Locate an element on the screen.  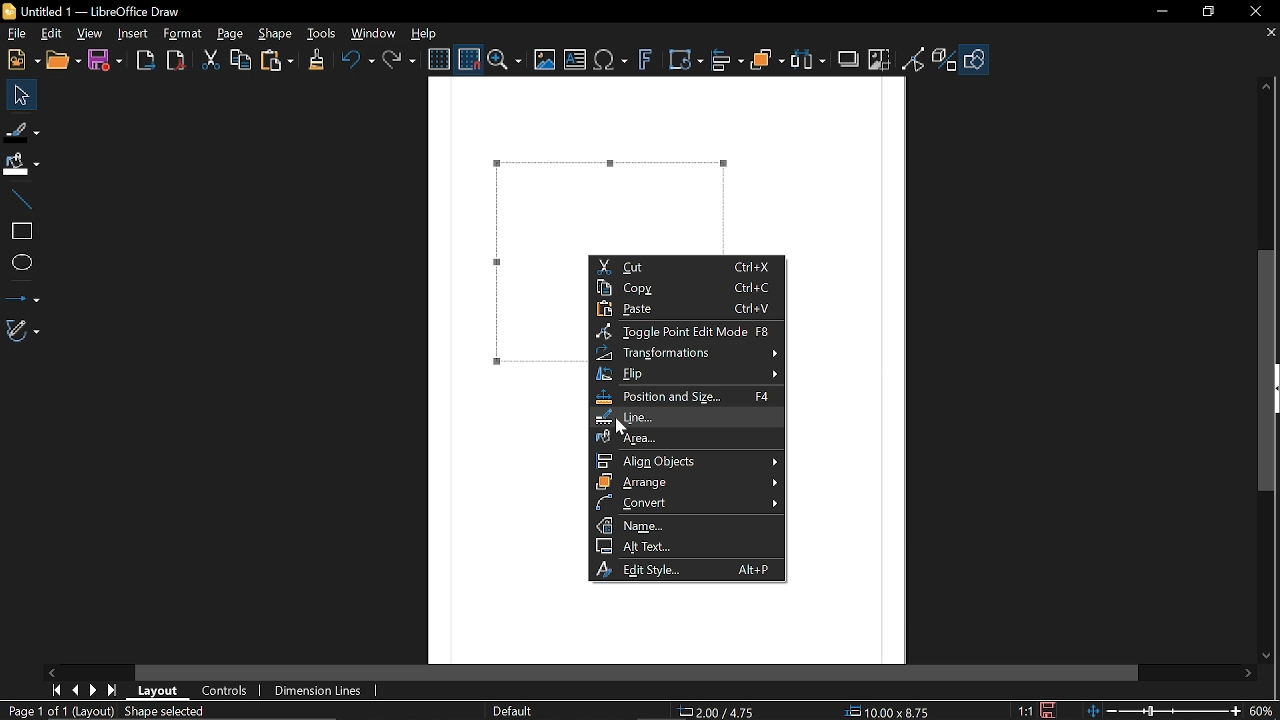
Insert fontwork is located at coordinates (646, 61).